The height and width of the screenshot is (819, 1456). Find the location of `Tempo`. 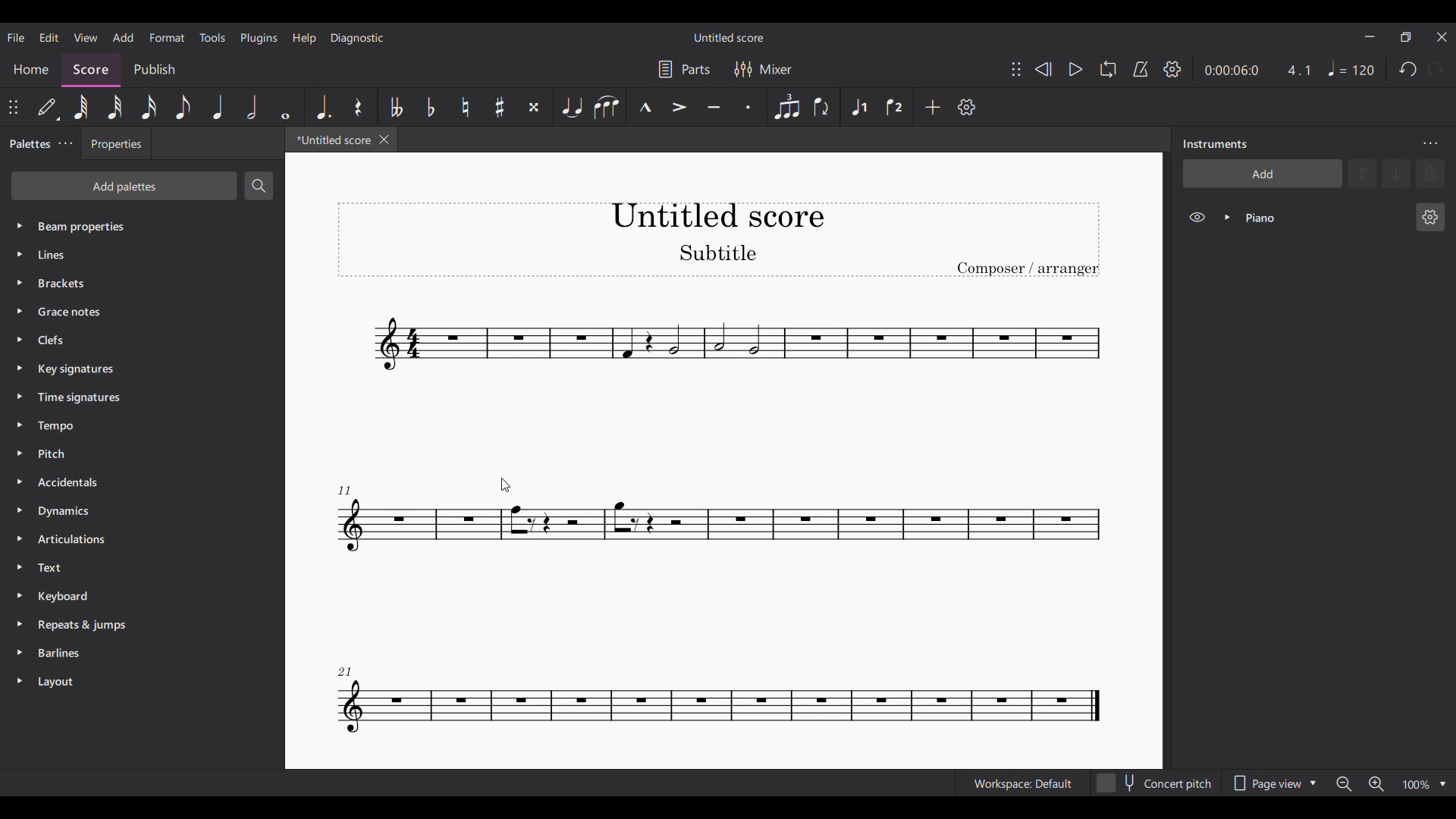

Tempo is located at coordinates (136, 426).